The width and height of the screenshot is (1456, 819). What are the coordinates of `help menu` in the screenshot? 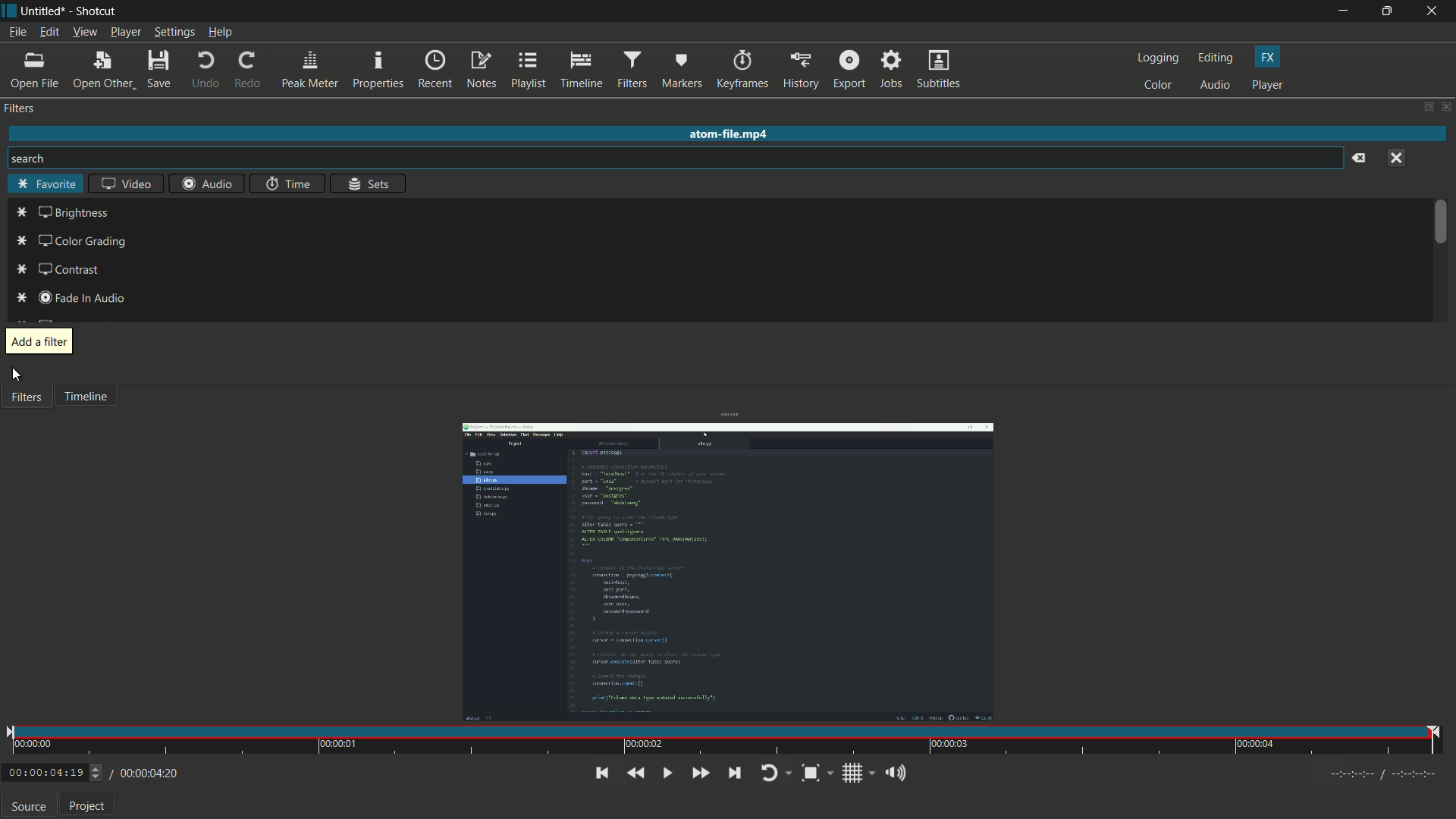 It's located at (222, 33).